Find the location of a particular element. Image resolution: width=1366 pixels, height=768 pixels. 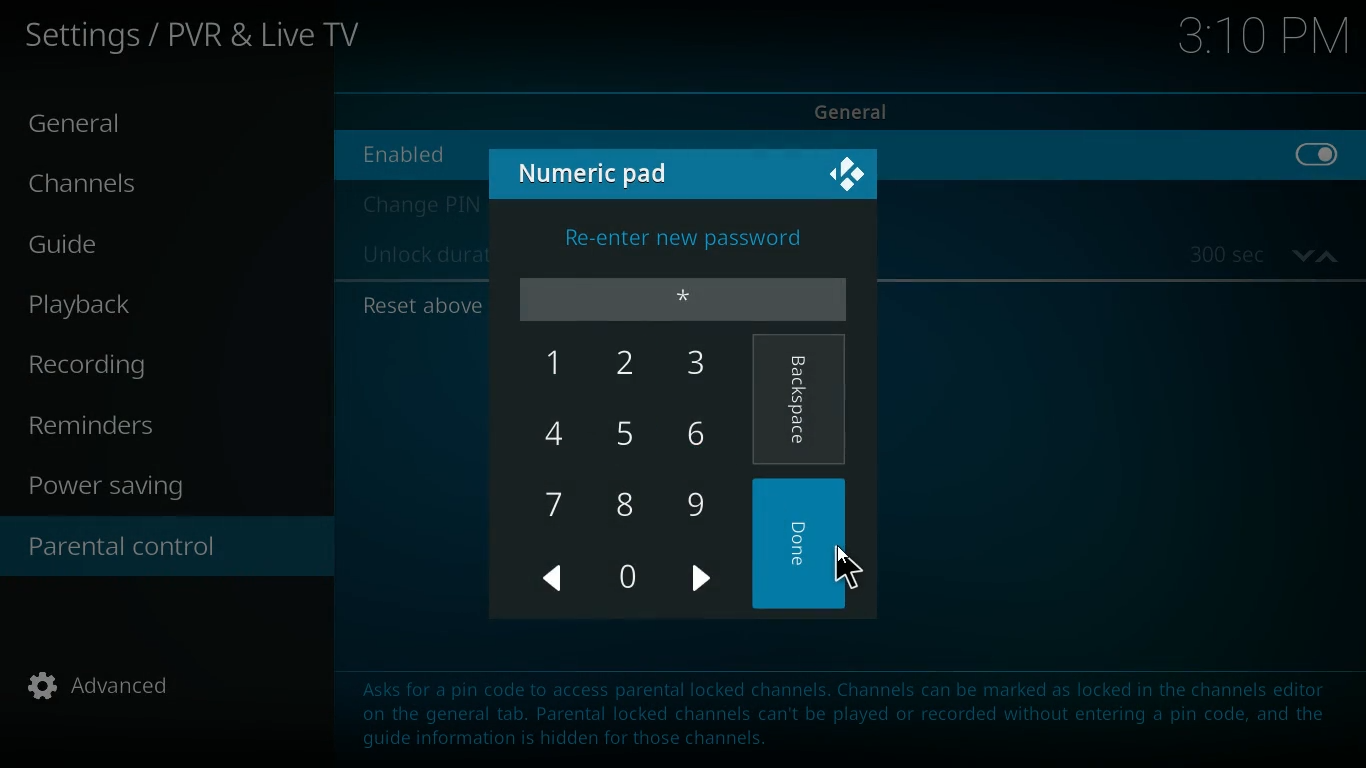

right is located at coordinates (704, 582).